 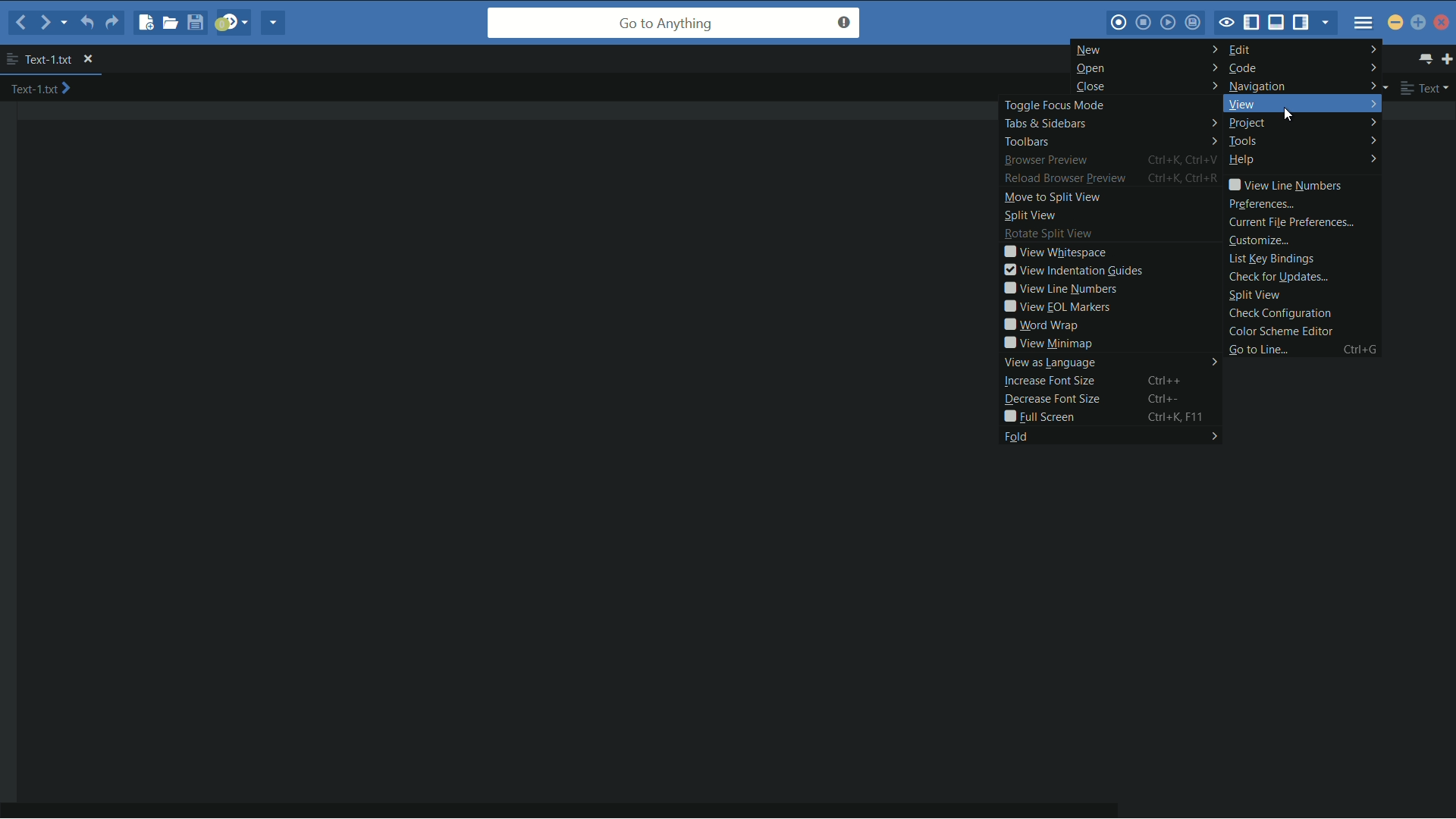 What do you see at coordinates (1423, 89) in the screenshot?
I see `text` at bounding box center [1423, 89].